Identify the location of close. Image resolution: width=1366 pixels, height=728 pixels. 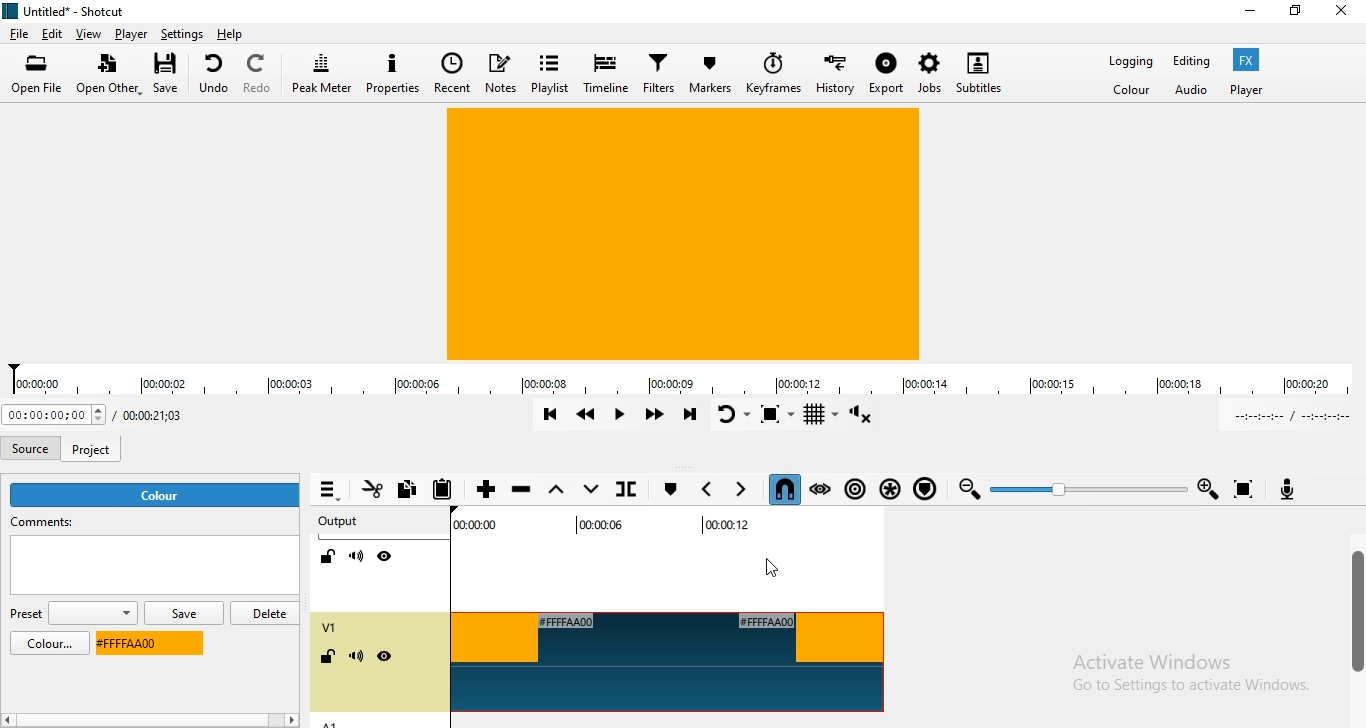
(1346, 12).